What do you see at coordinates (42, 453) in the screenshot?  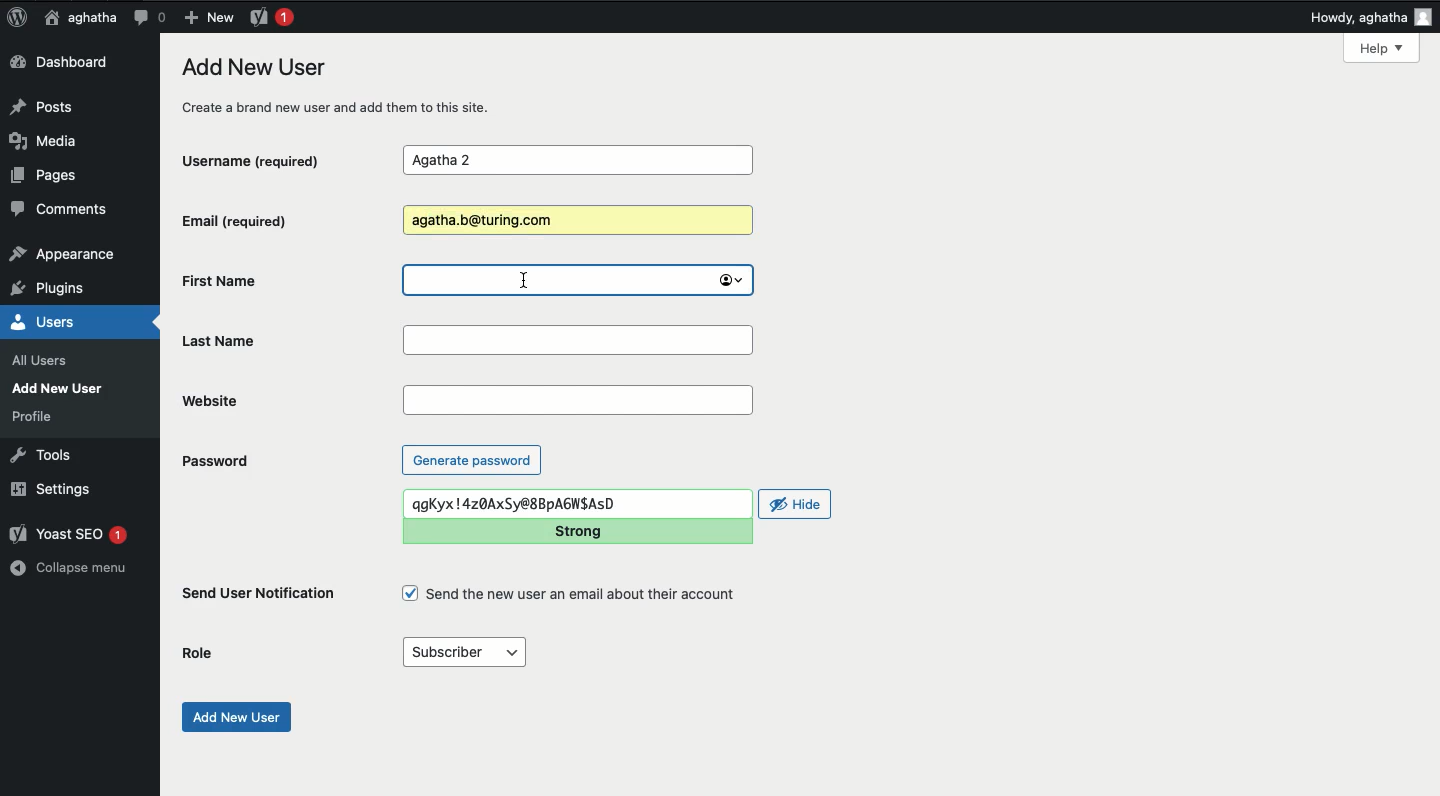 I see `Tools` at bounding box center [42, 453].